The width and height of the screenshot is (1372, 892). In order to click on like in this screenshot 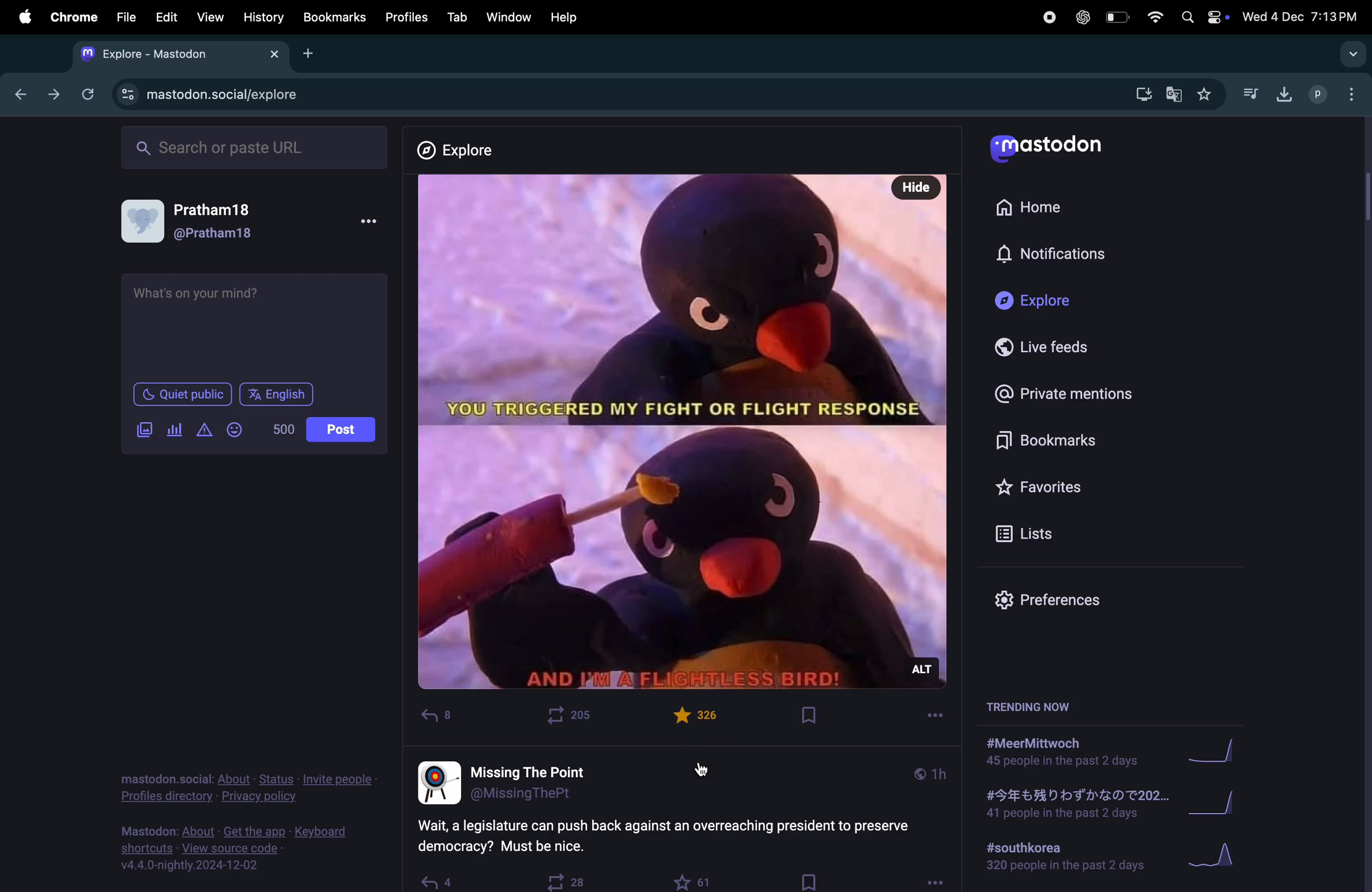, I will do `click(689, 879)`.